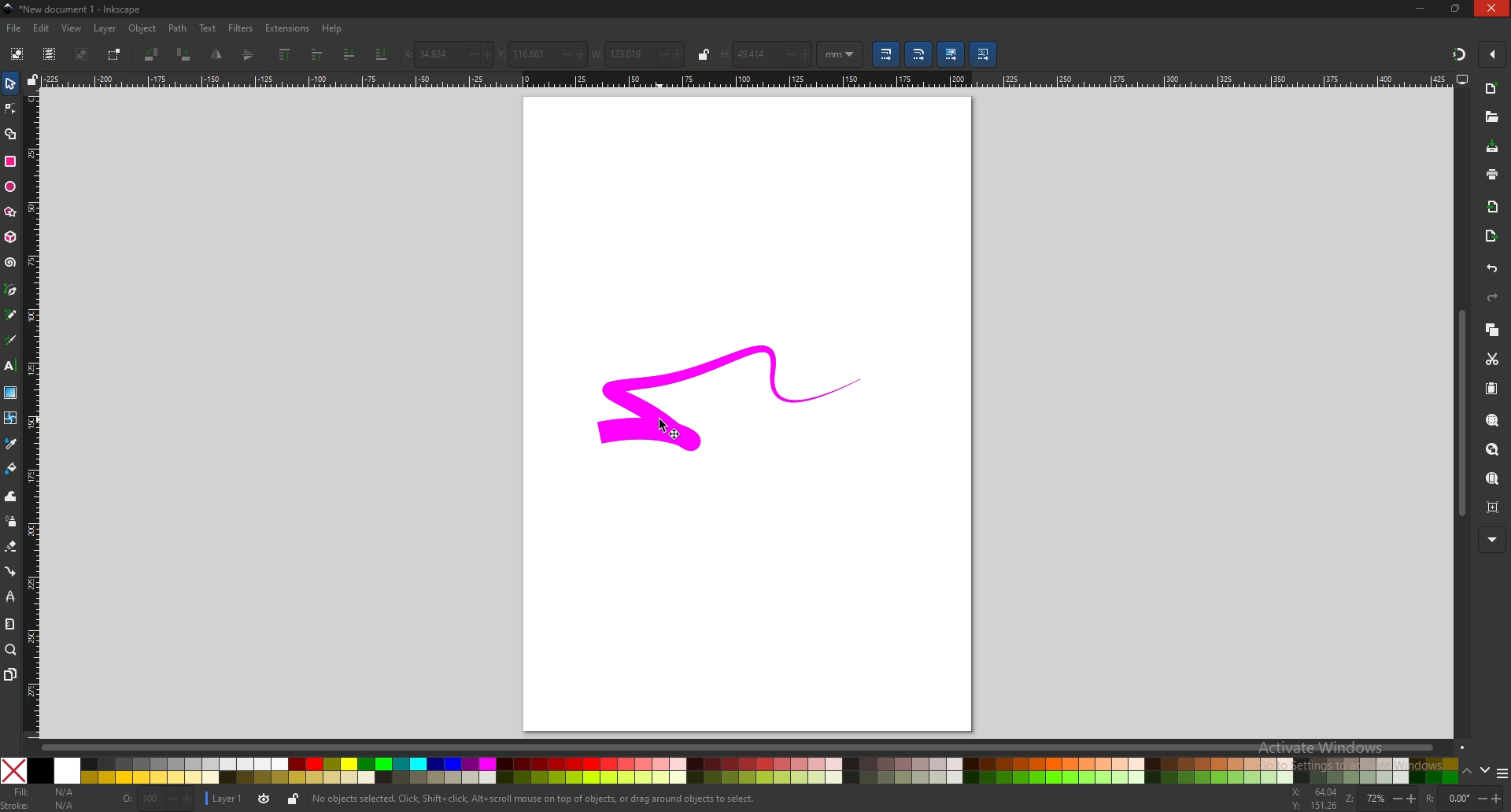 Image resolution: width=1511 pixels, height=812 pixels. I want to click on stroke, so click(44, 806).